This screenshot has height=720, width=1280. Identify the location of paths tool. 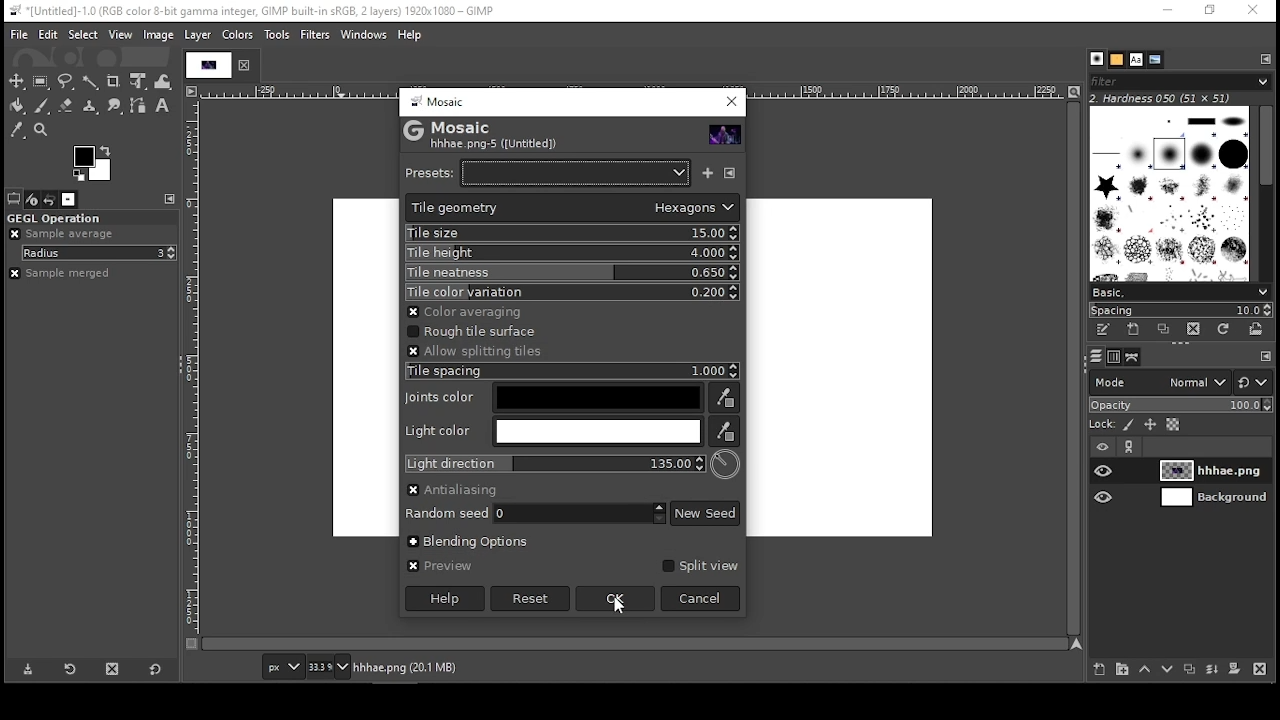
(139, 108).